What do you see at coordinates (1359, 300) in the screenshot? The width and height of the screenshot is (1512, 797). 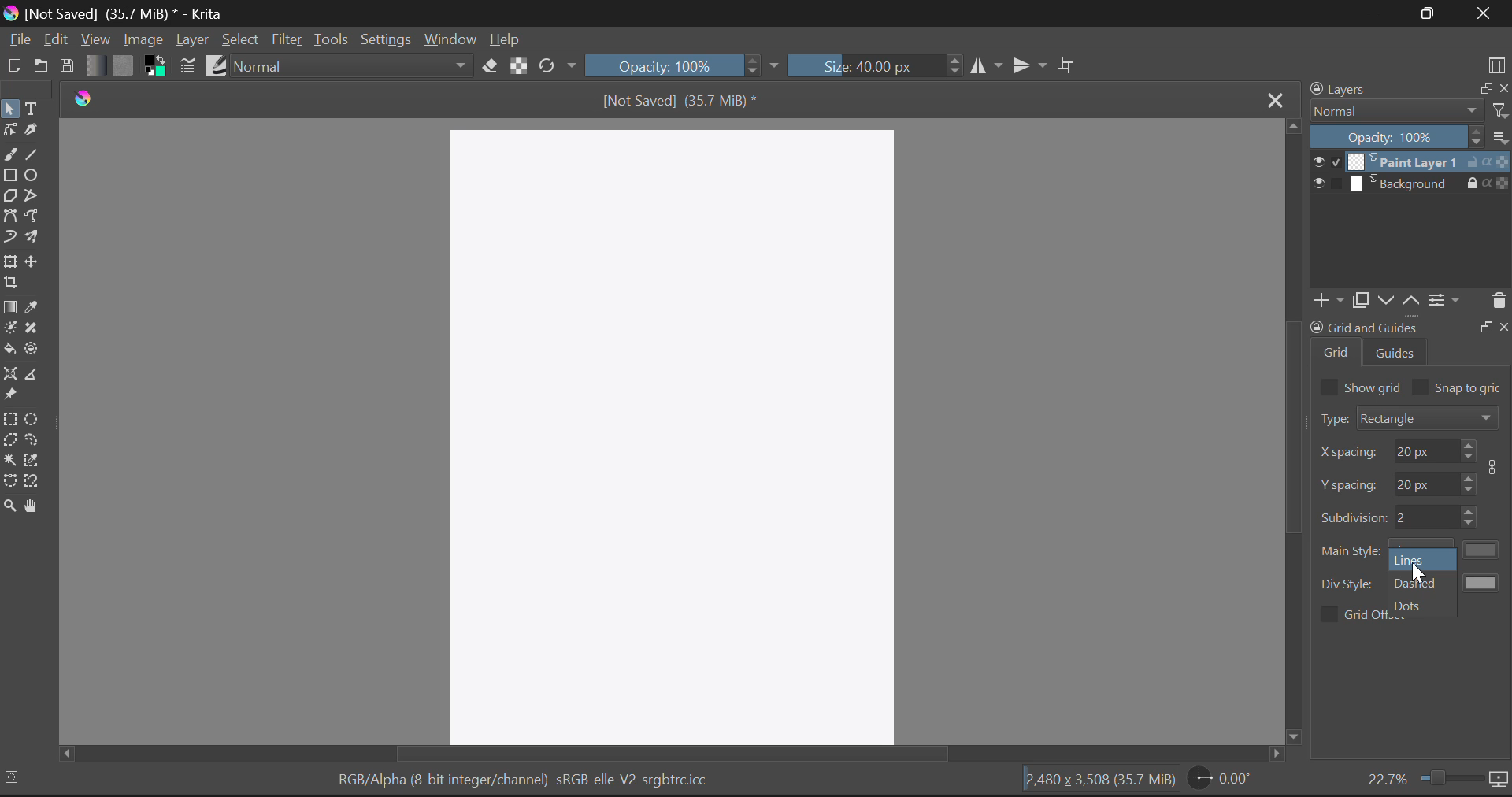 I see `copy` at bounding box center [1359, 300].